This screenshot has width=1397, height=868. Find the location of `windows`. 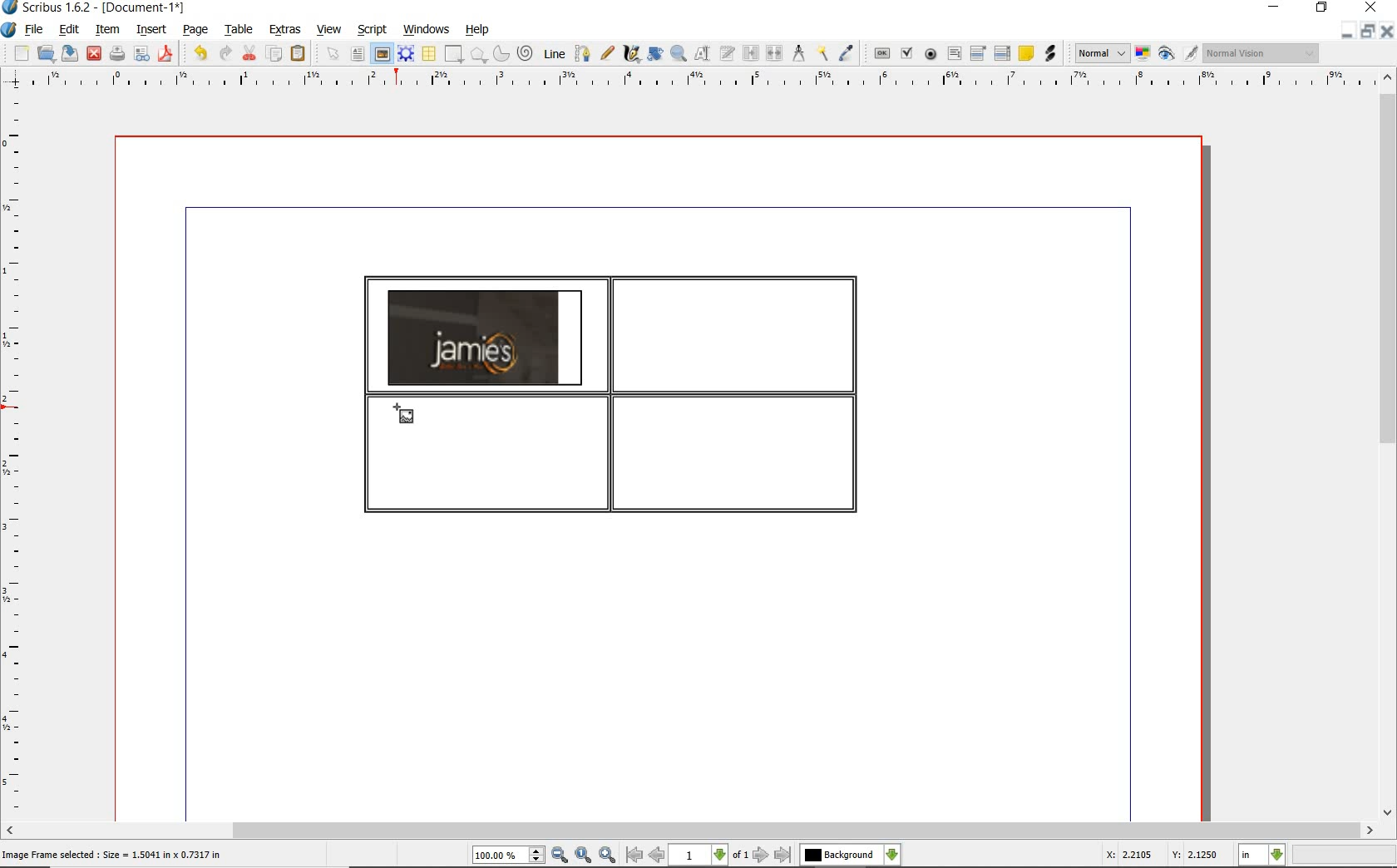

windows is located at coordinates (426, 30).